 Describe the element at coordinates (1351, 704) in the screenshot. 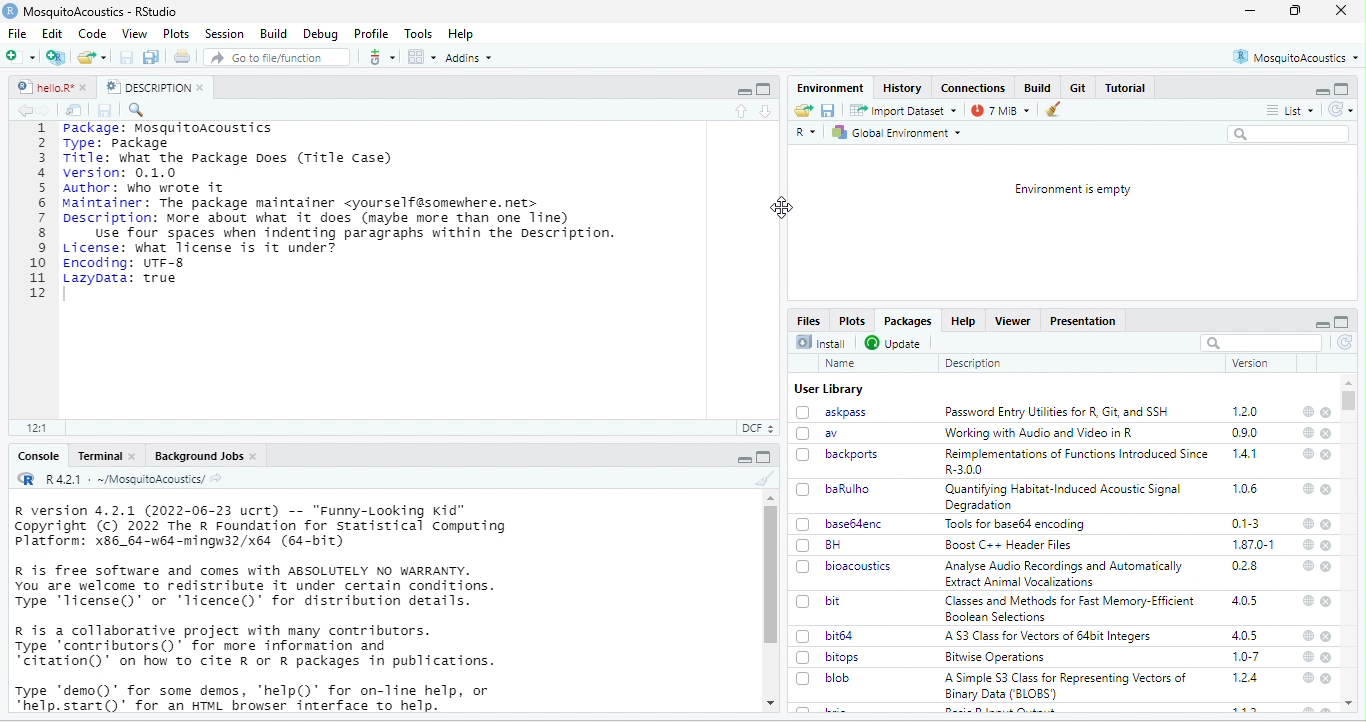

I see `scroll up` at that location.